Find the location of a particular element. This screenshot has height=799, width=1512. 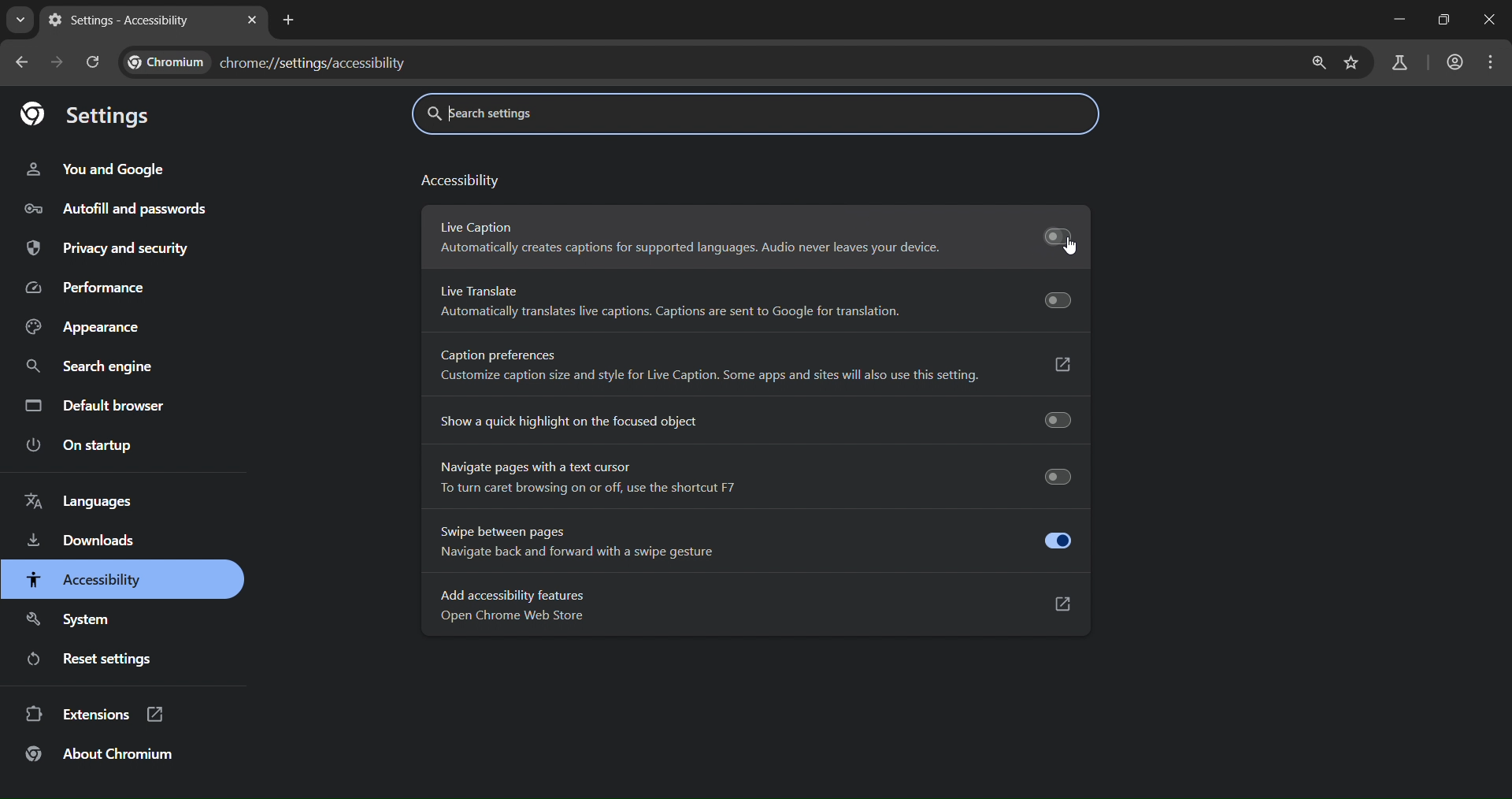

Live Translate
Automatically translates live captions. Captions are sent to Google for translation. is located at coordinates (754, 301).